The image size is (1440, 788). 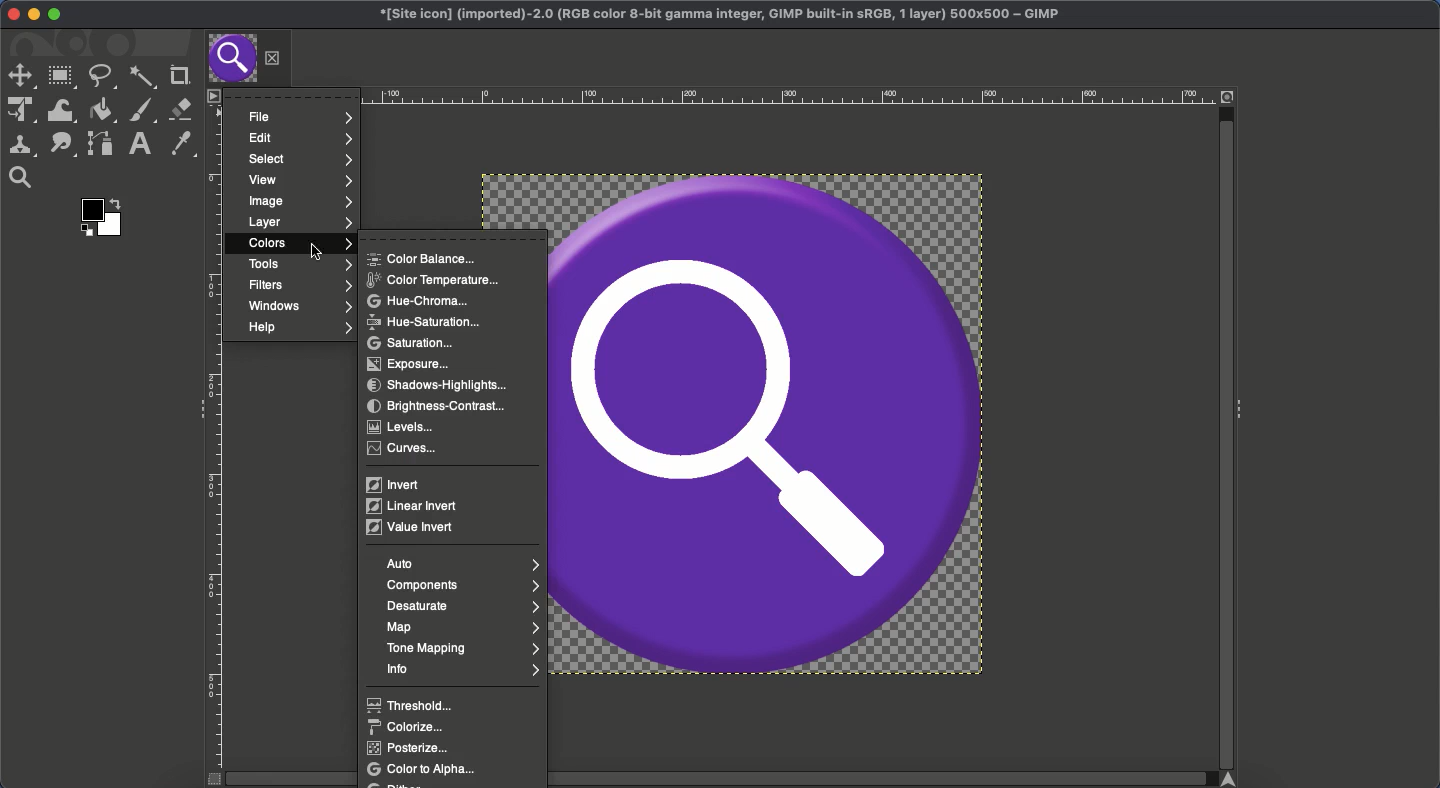 What do you see at coordinates (1225, 428) in the screenshot?
I see `Scroll` at bounding box center [1225, 428].